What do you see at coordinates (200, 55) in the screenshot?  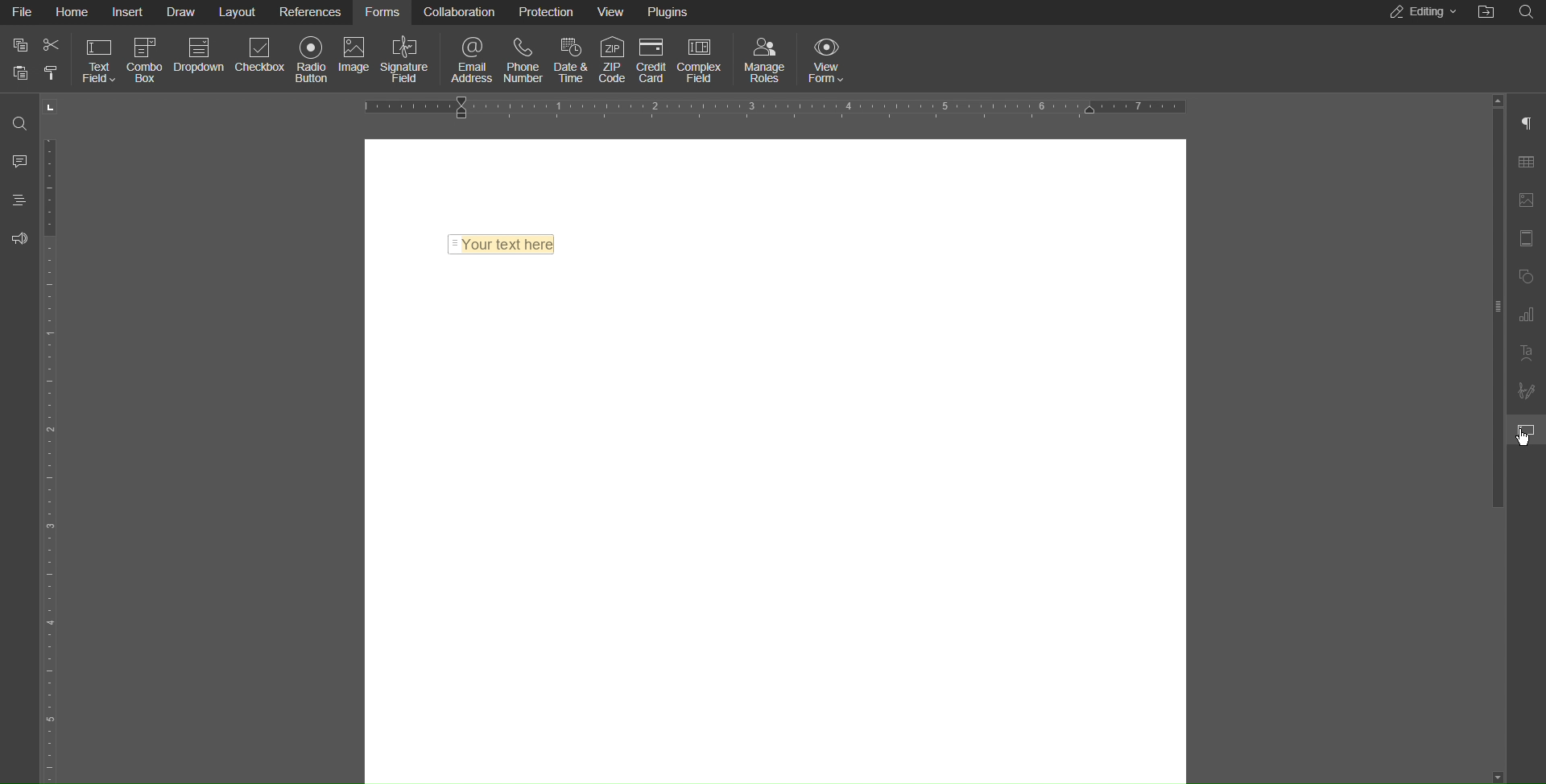 I see `Dropdown` at bounding box center [200, 55].